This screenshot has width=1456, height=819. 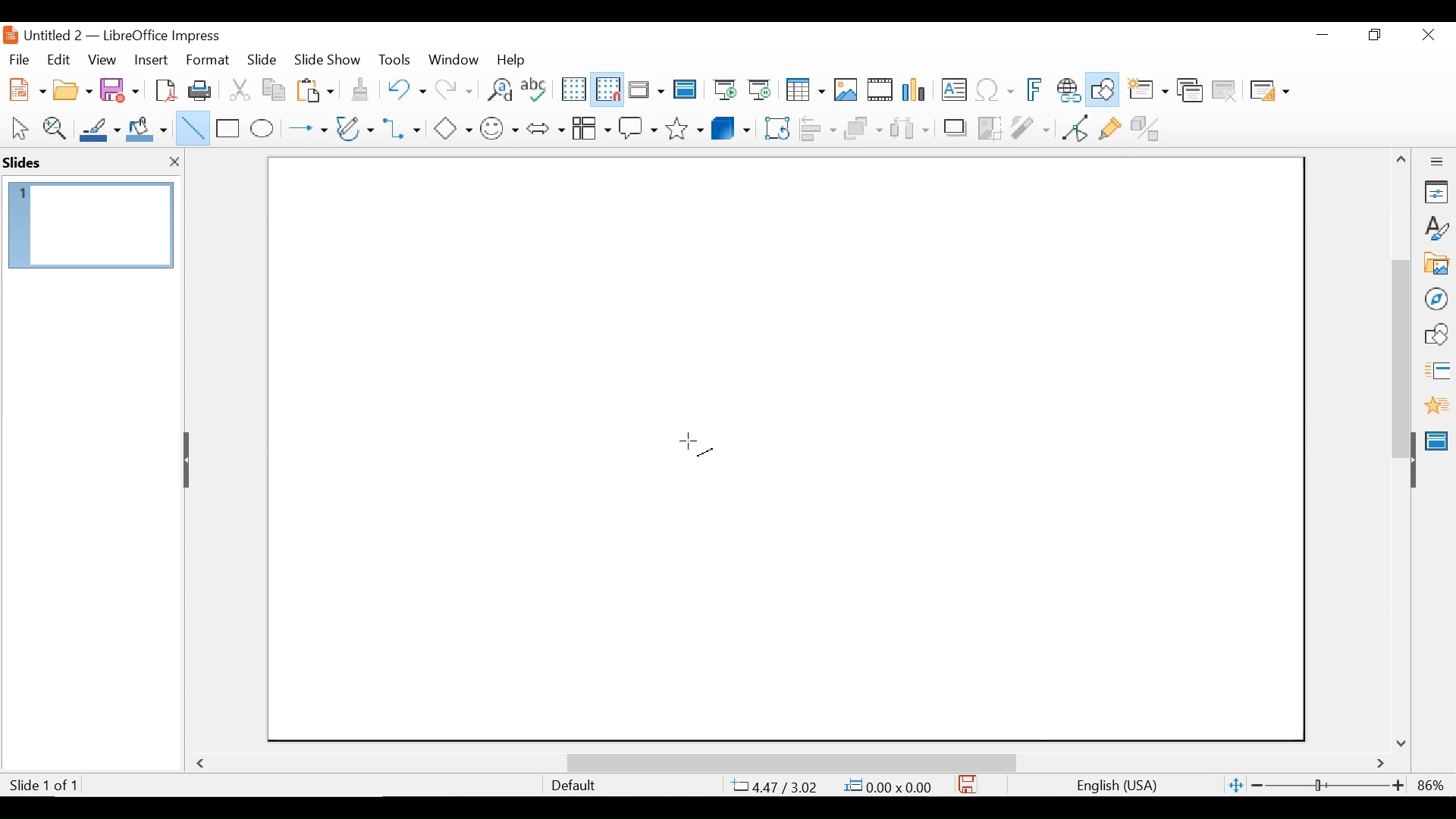 What do you see at coordinates (1147, 91) in the screenshot?
I see `New slide` at bounding box center [1147, 91].